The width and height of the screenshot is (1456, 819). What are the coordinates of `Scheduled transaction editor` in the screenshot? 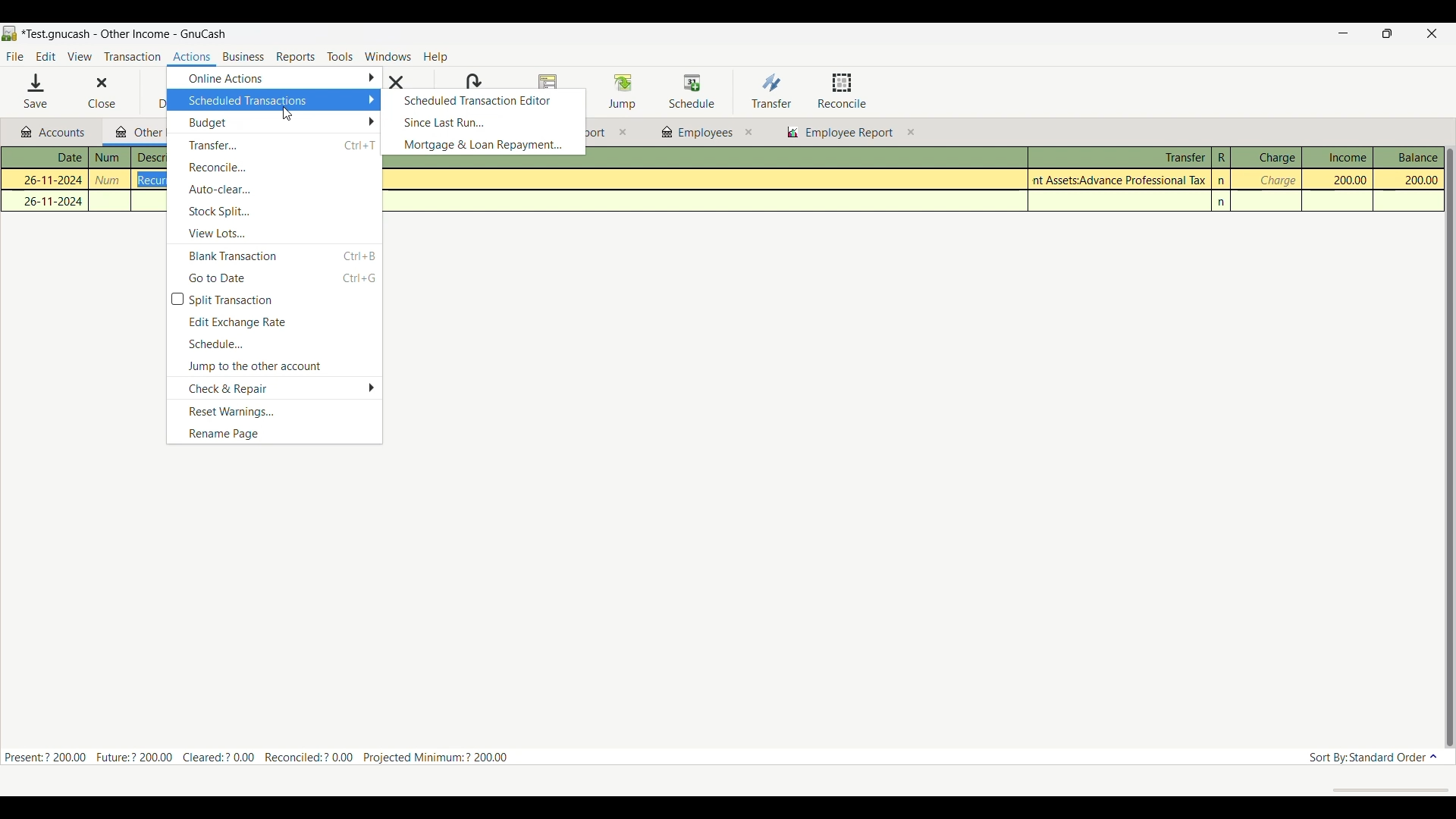 It's located at (485, 101).